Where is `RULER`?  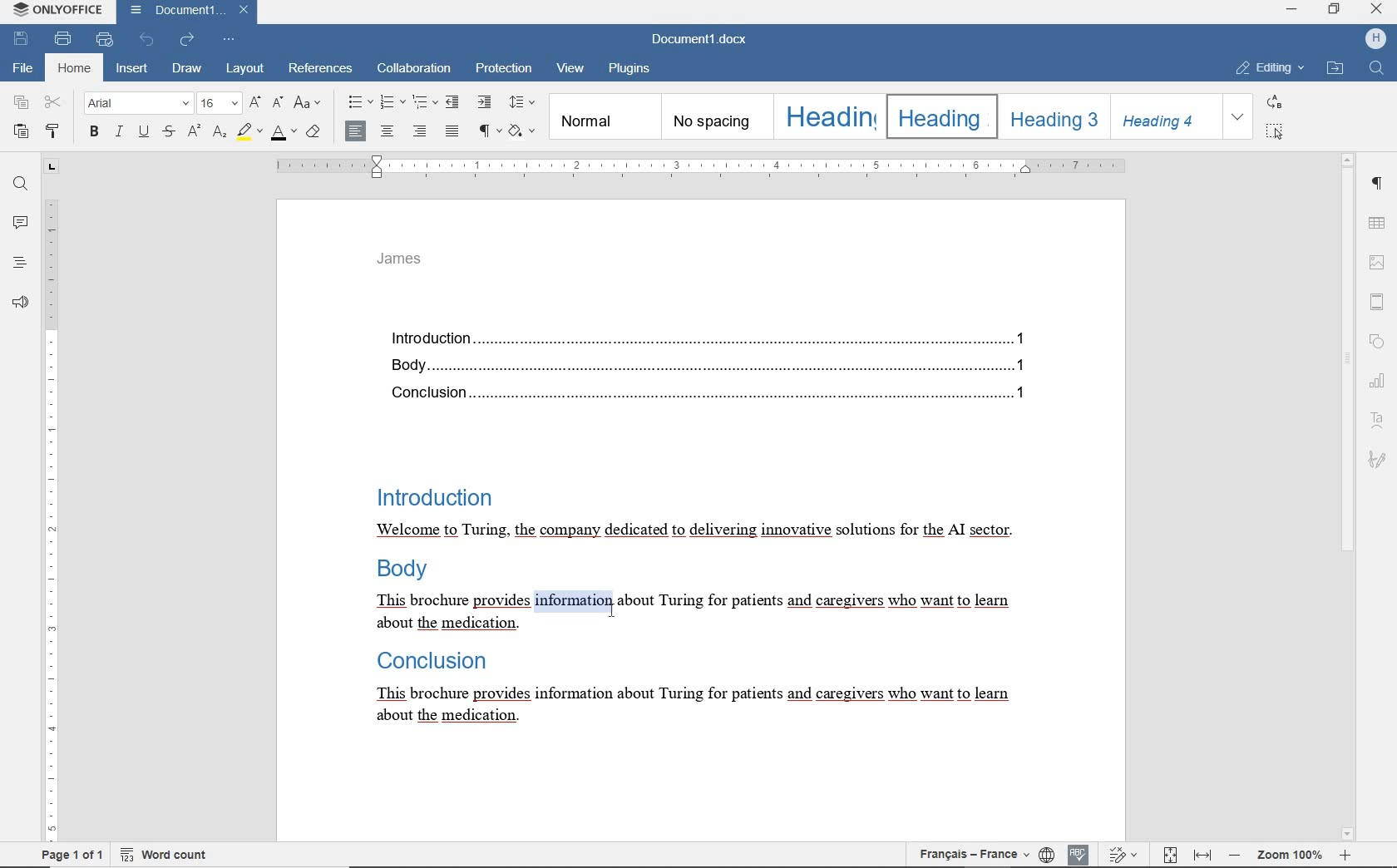
RULER is located at coordinates (698, 167).